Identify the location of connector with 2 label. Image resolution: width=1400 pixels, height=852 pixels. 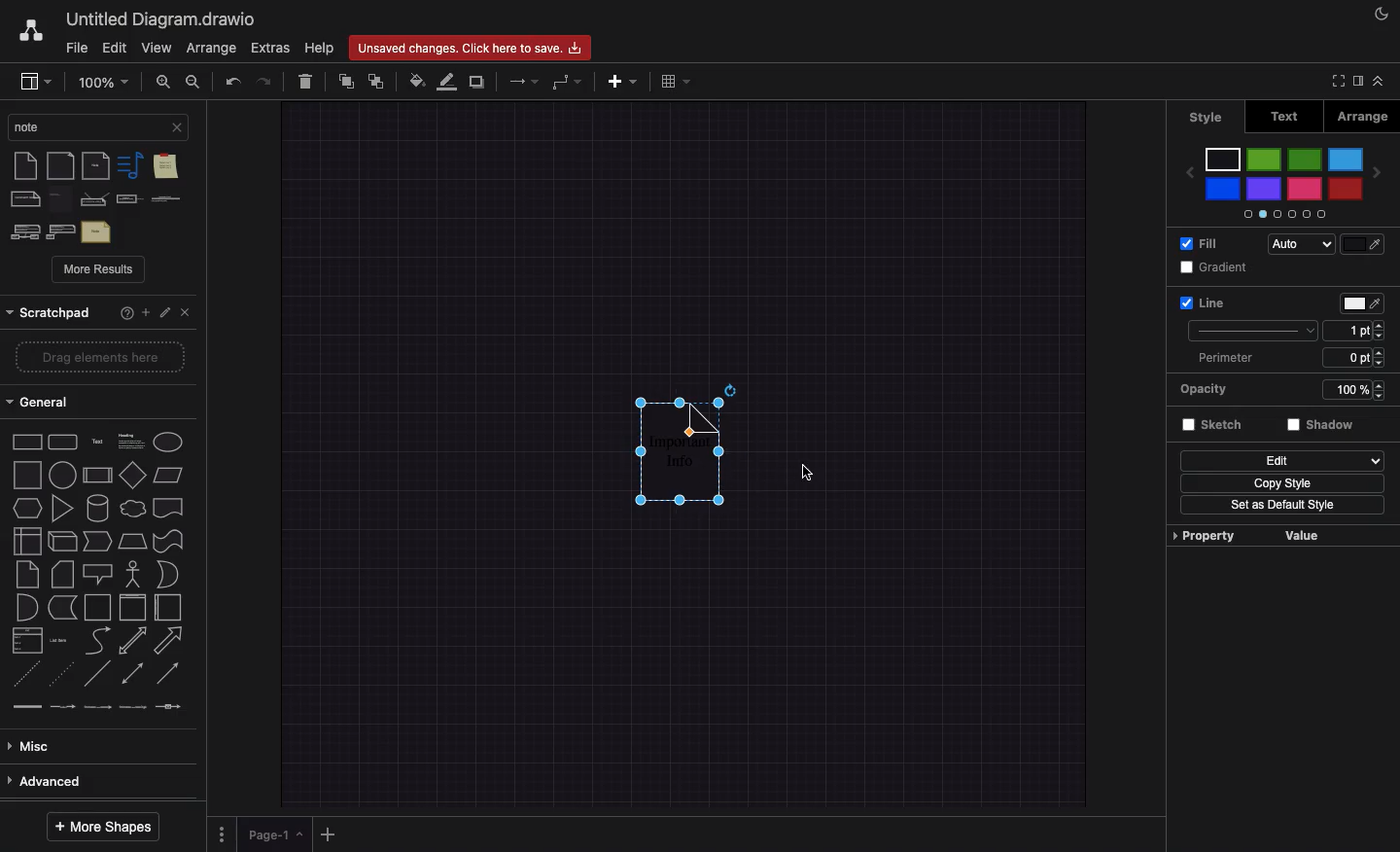
(100, 713).